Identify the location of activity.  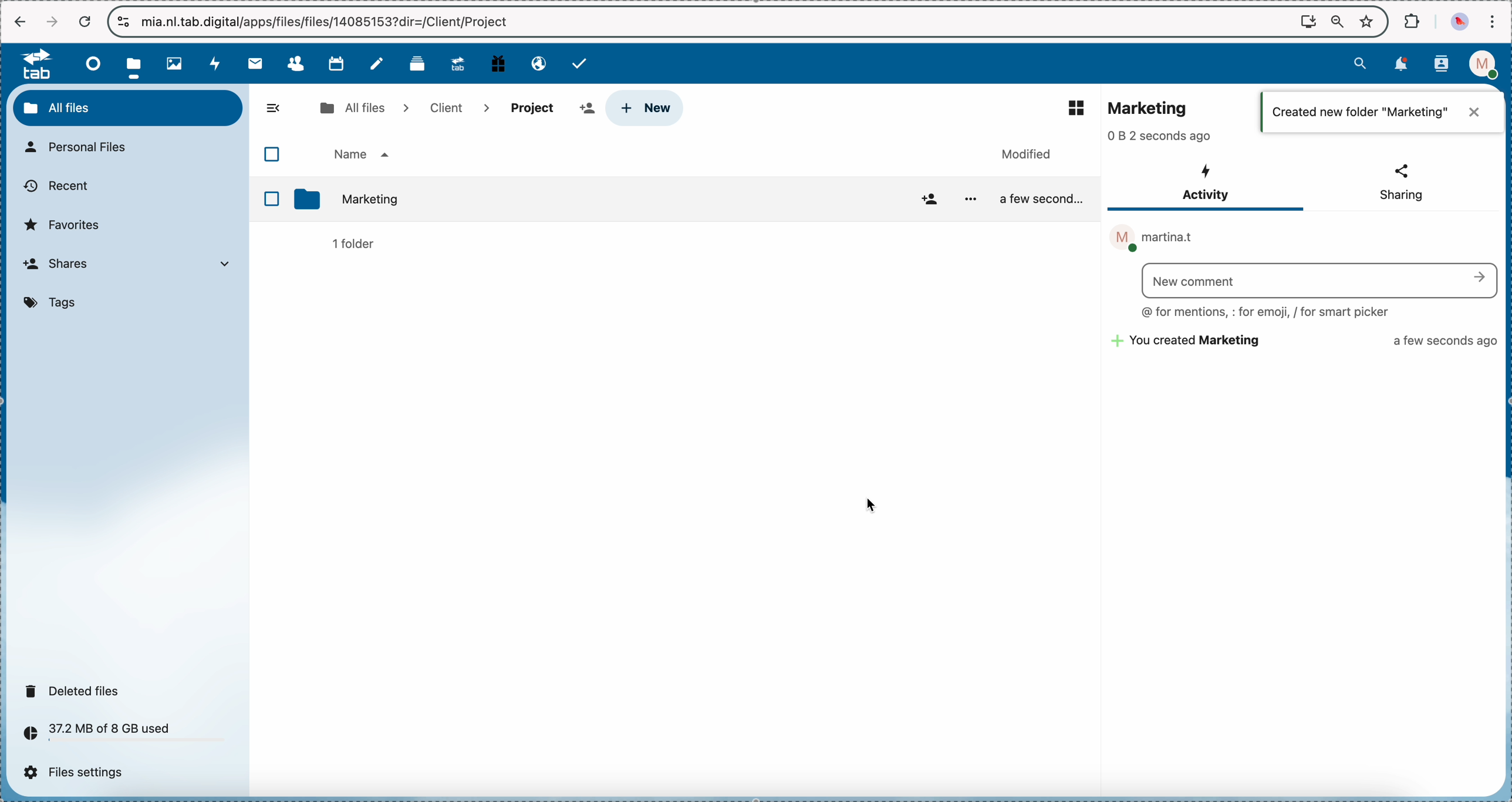
(217, 63).